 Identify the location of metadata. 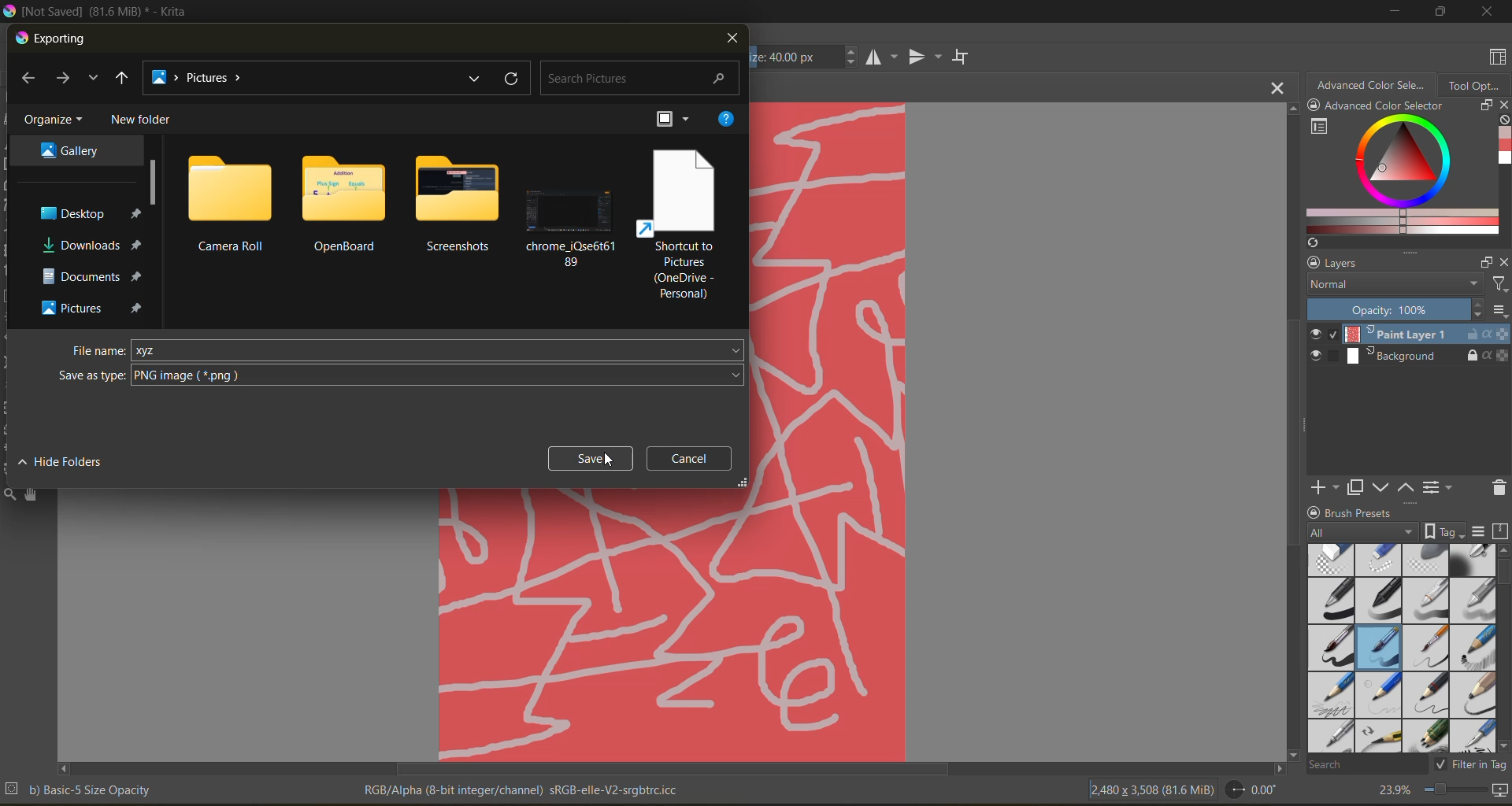
(524, 789).